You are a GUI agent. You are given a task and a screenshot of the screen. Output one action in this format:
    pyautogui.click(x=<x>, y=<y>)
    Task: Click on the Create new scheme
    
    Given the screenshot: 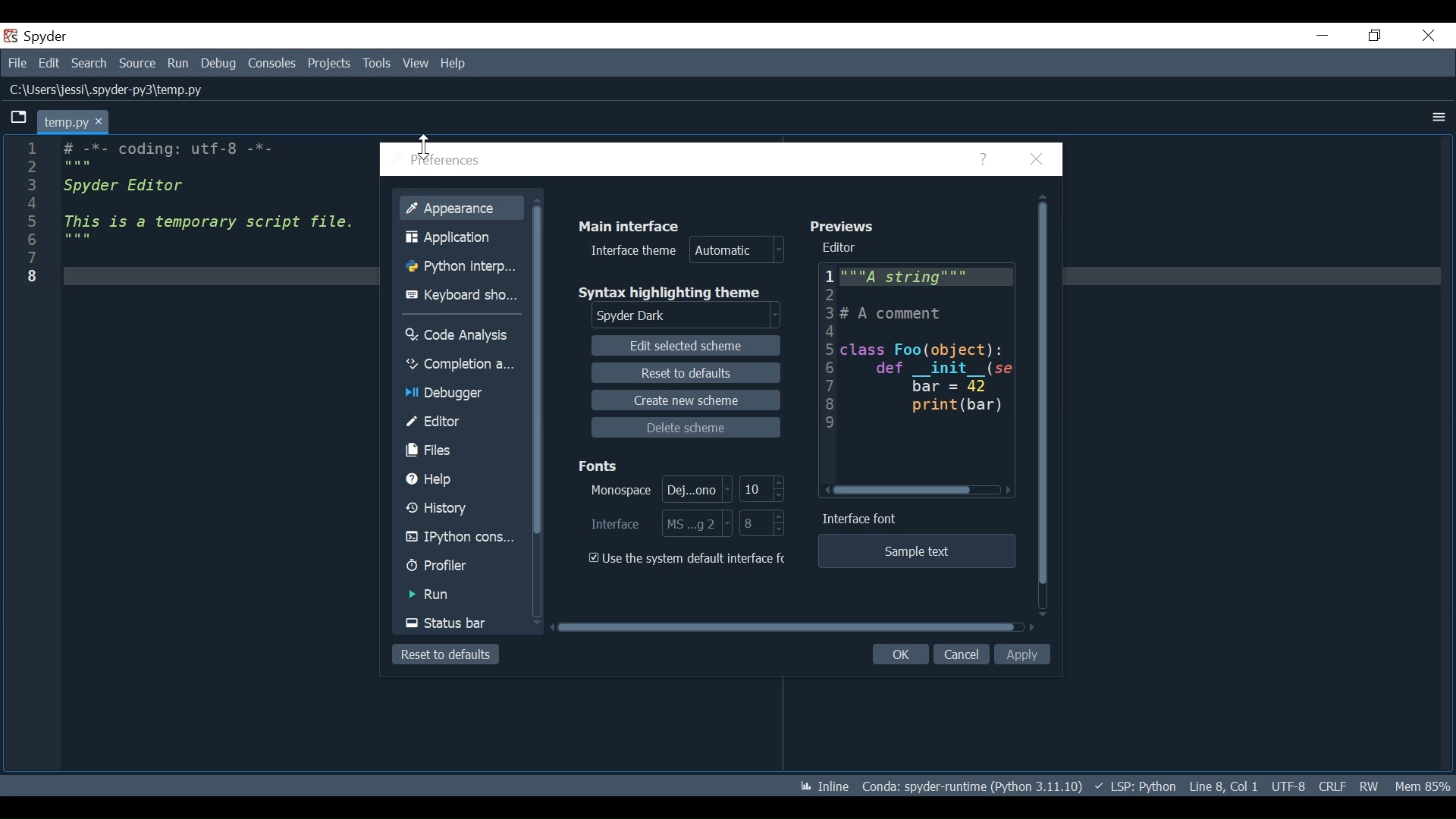 What is the action you would take?
    pyautogui.click(x=686, y=399)
    